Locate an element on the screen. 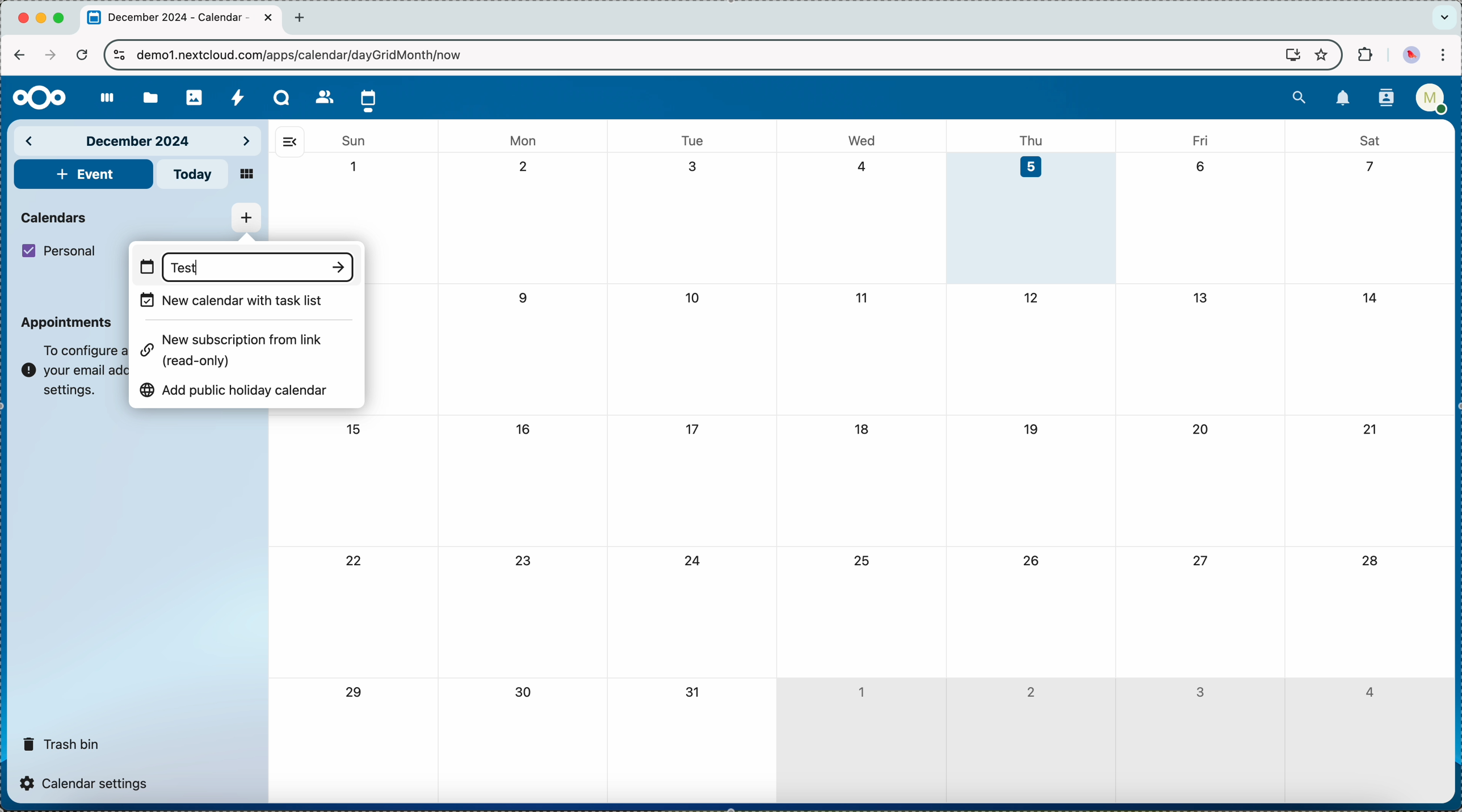  customize and control Google Chrome is located at coordinates (1447, 56).